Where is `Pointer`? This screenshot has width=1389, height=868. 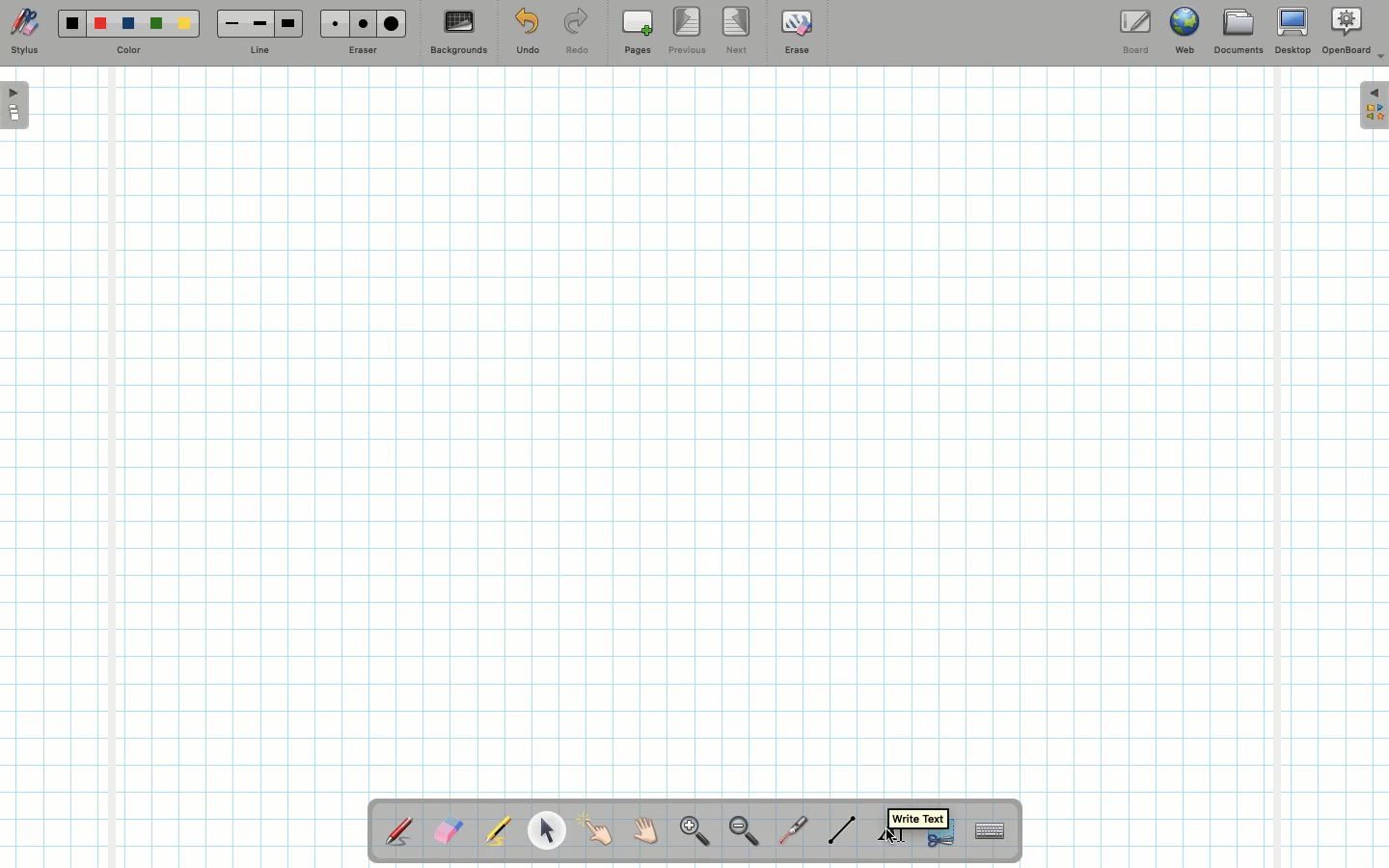
Pointer is located at coordinates (546, 830).